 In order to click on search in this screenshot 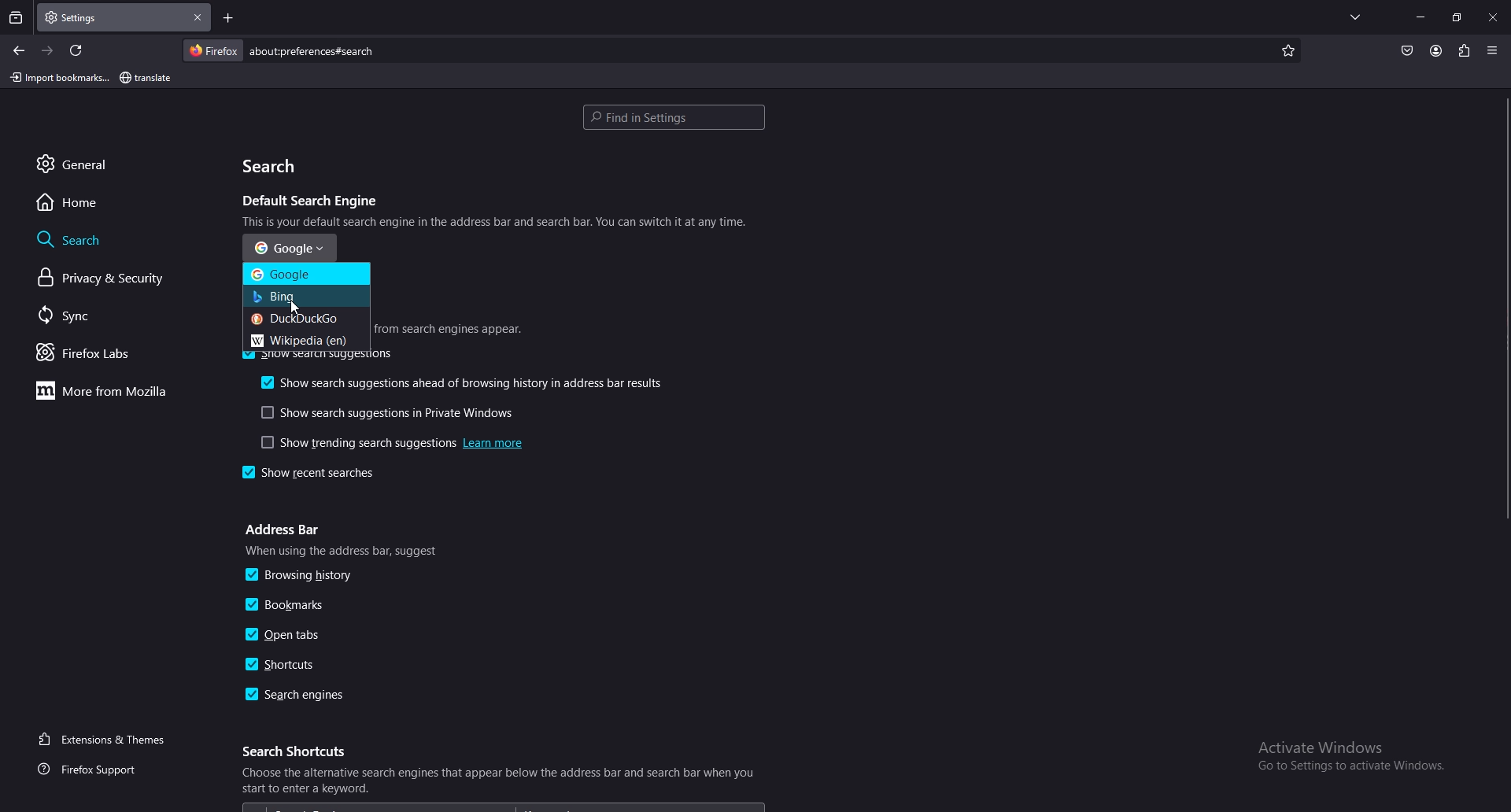, I will do `click(276, 166)`.